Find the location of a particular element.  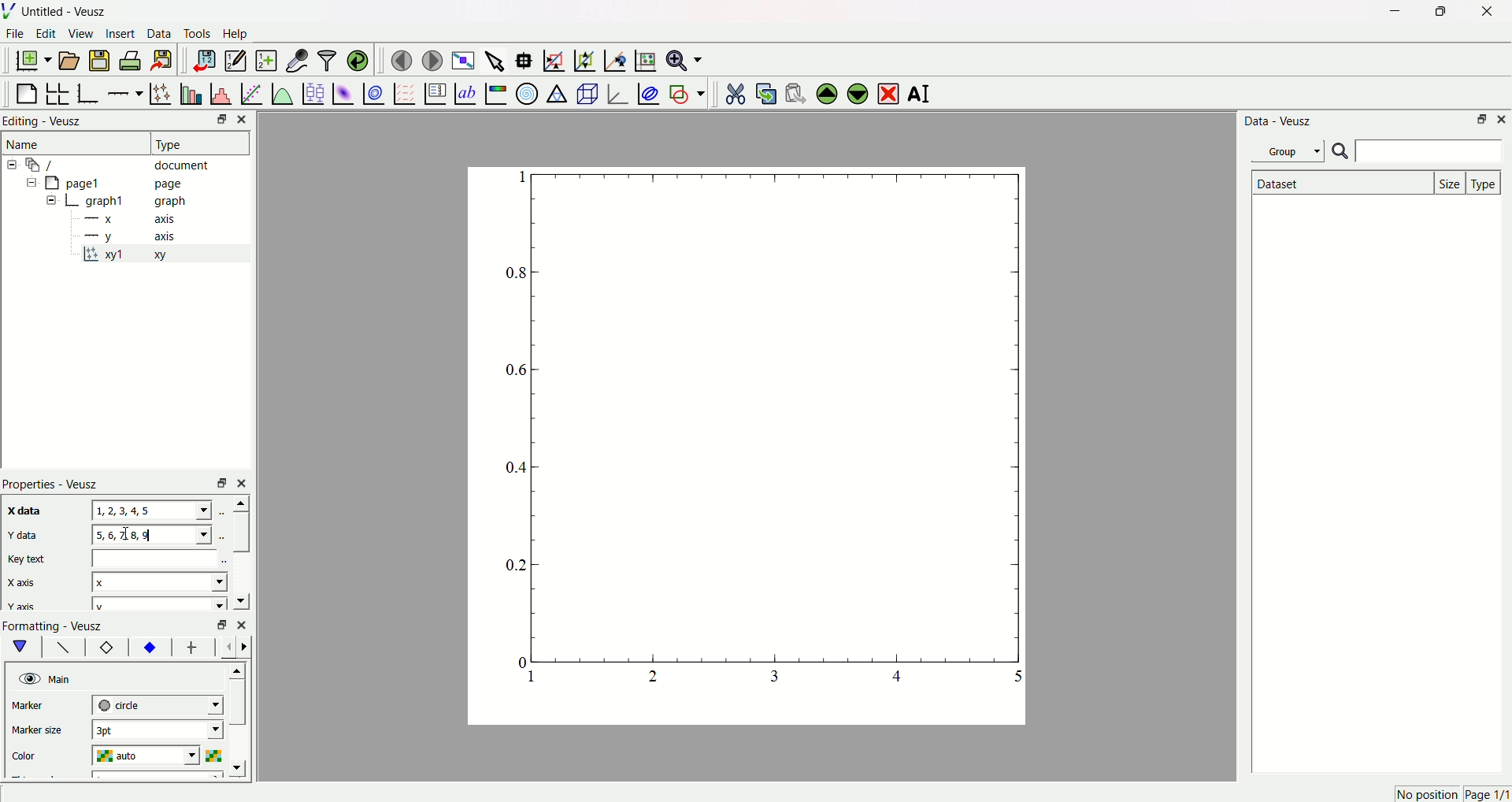

cut the widgets is located at coordinates (735, 91).